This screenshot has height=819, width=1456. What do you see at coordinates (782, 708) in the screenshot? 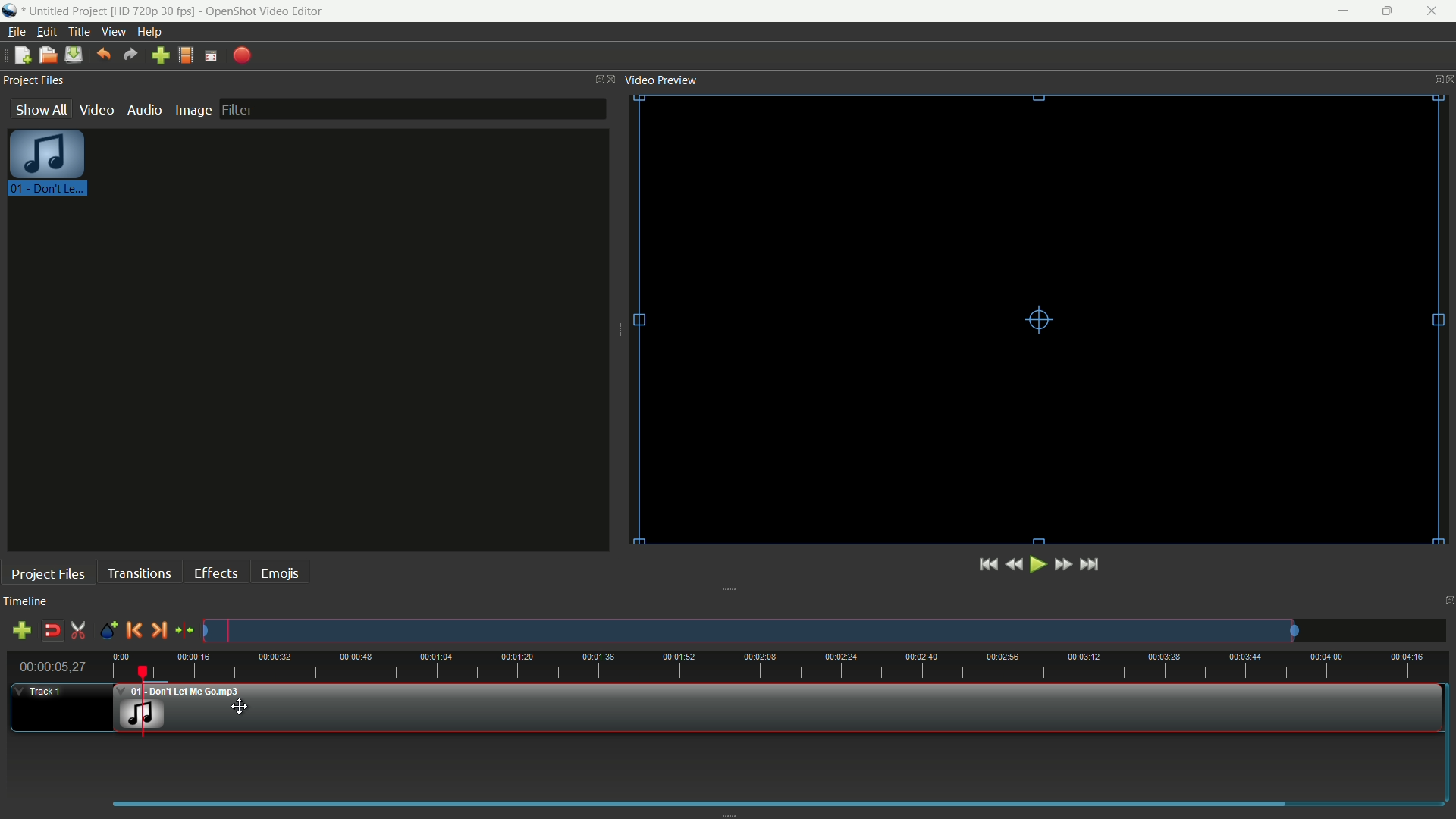
I see `video in timeline` at bounding box center [782, 708].